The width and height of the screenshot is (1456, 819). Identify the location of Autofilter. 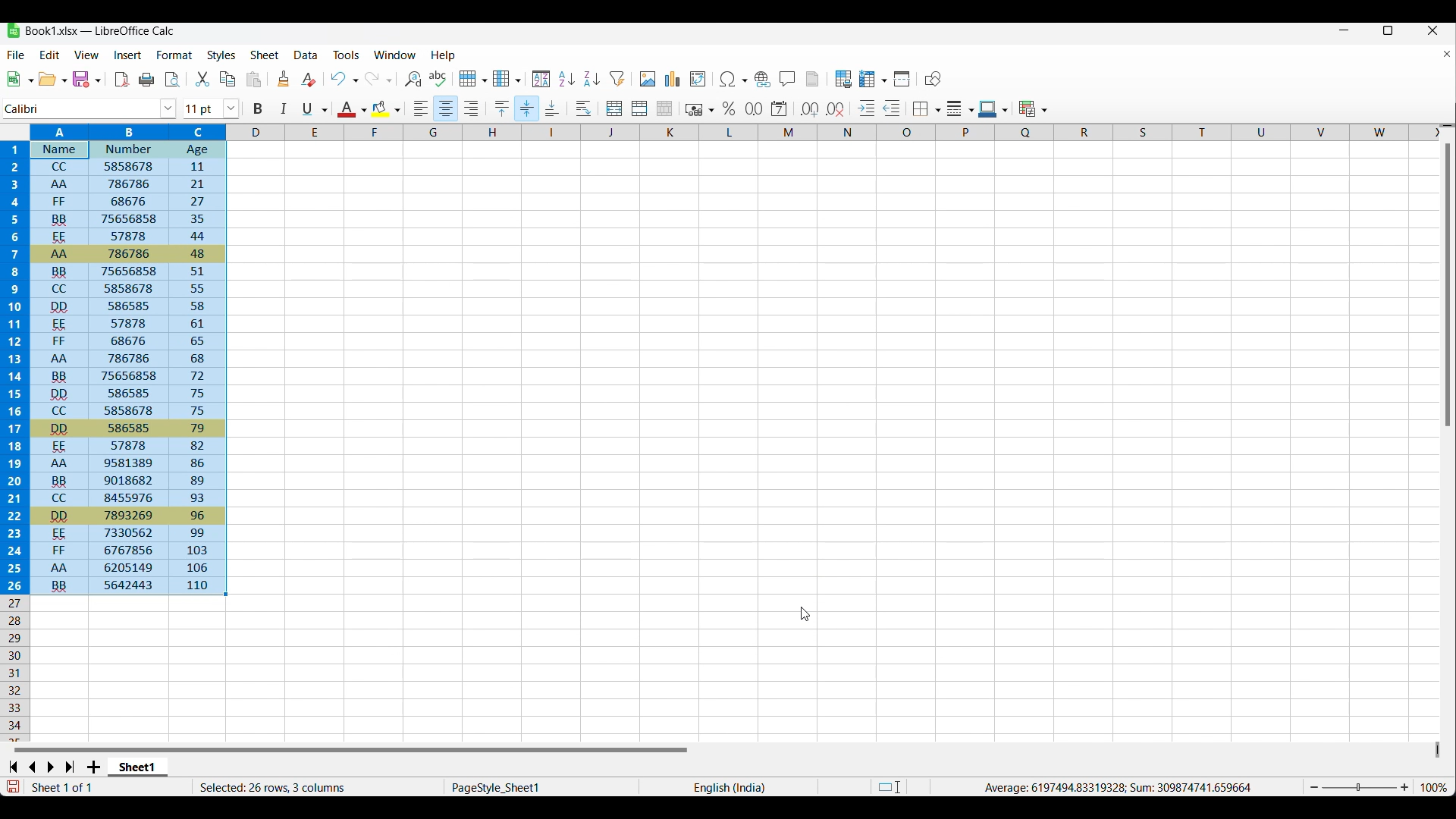
(618, 79).